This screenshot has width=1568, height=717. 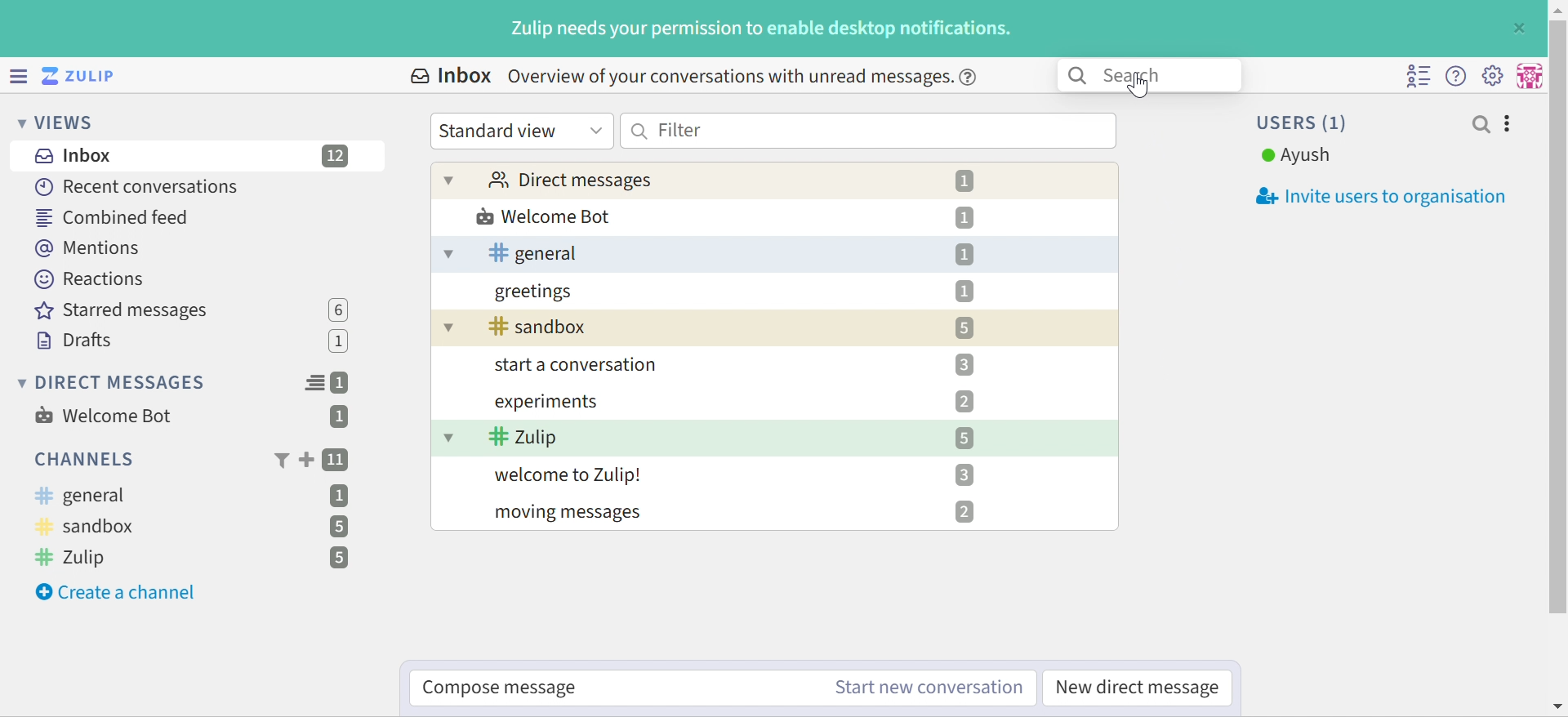 I want to click on 2, so click(x=964, y=512).